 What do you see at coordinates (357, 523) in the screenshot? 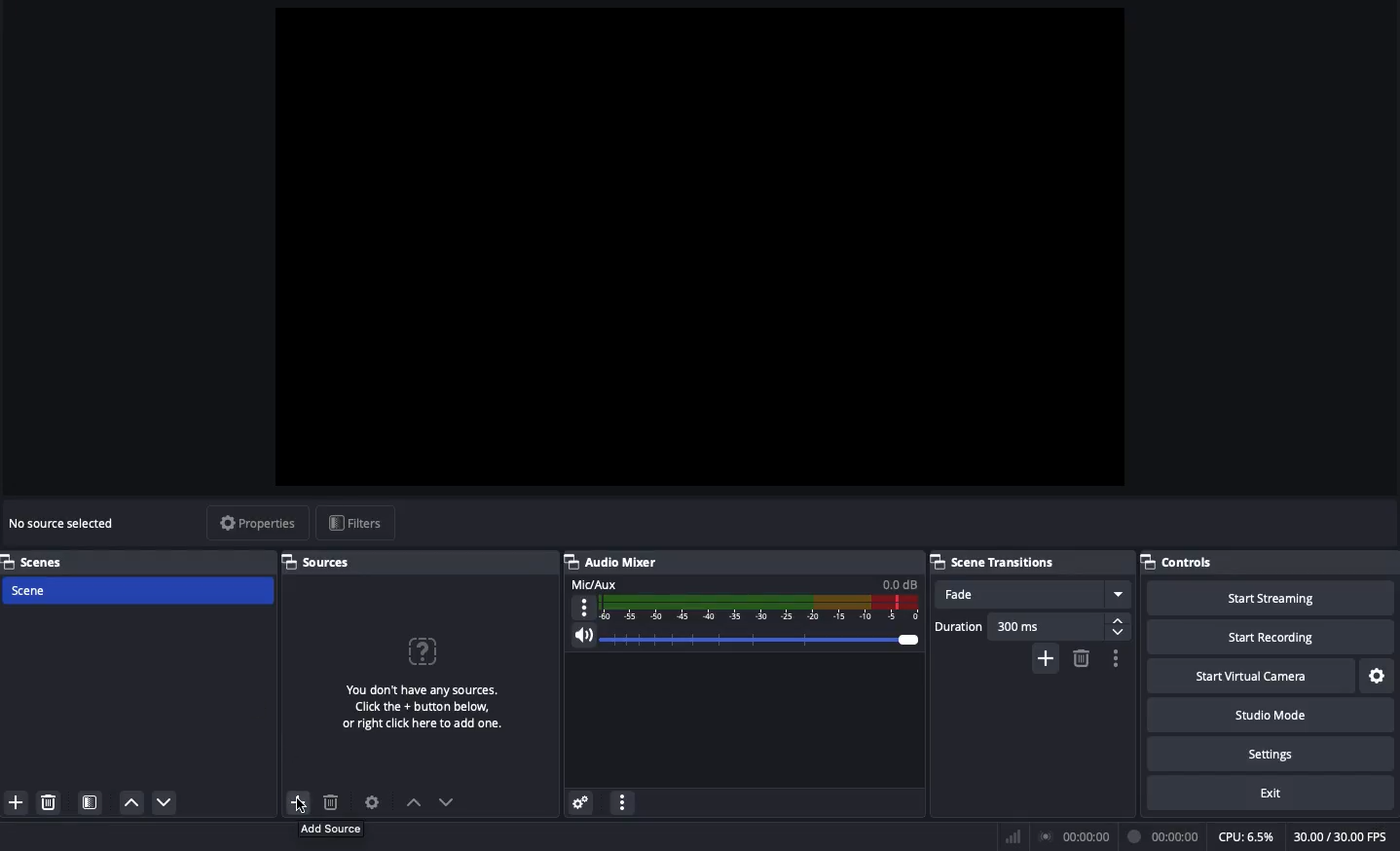
I see `Filters` at bounding box center [357, 523].